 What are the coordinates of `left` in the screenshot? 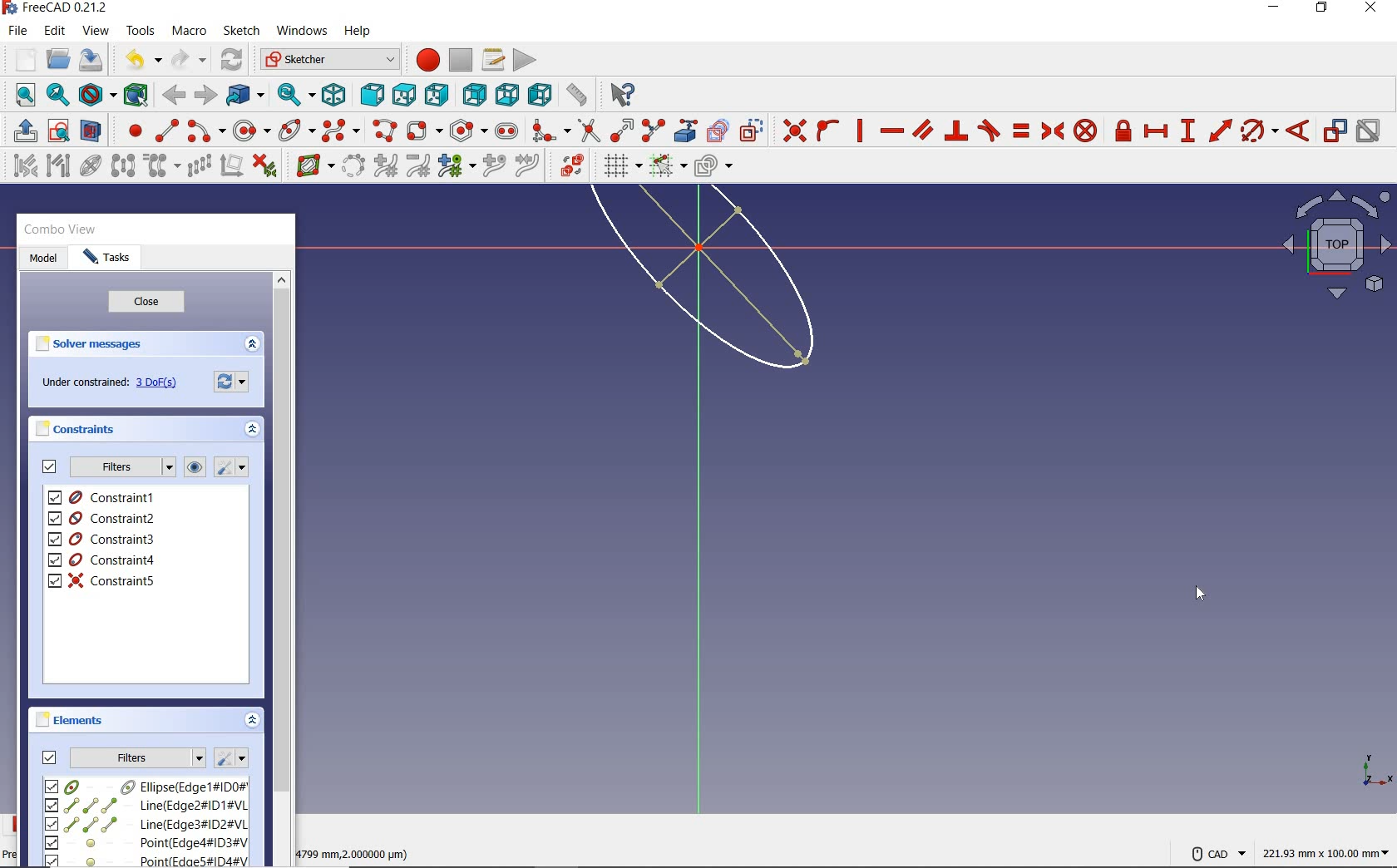 It's located at (541, 94).